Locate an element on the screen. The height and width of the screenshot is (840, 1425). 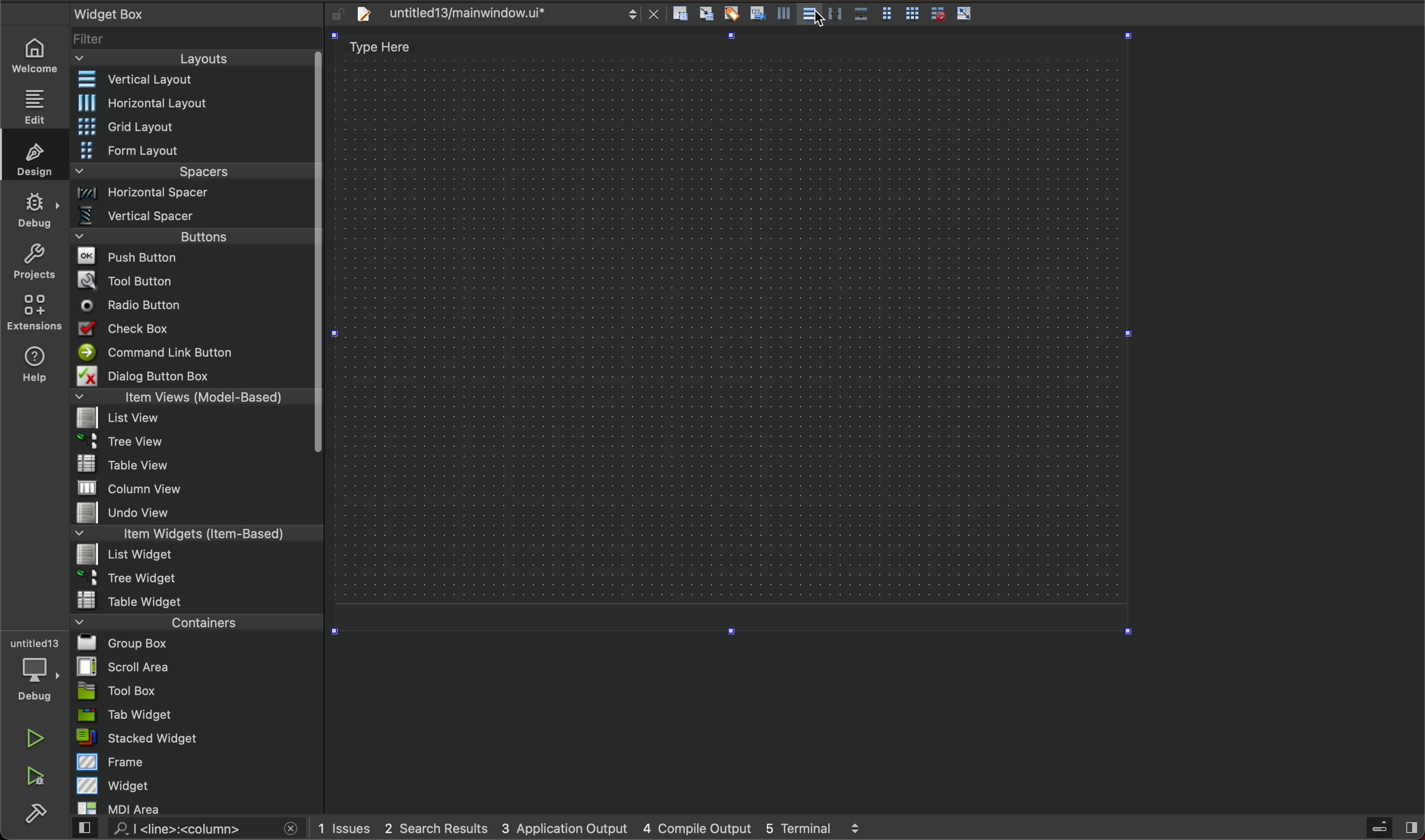
Horizontal spacer is located at coordinates (192, 194).